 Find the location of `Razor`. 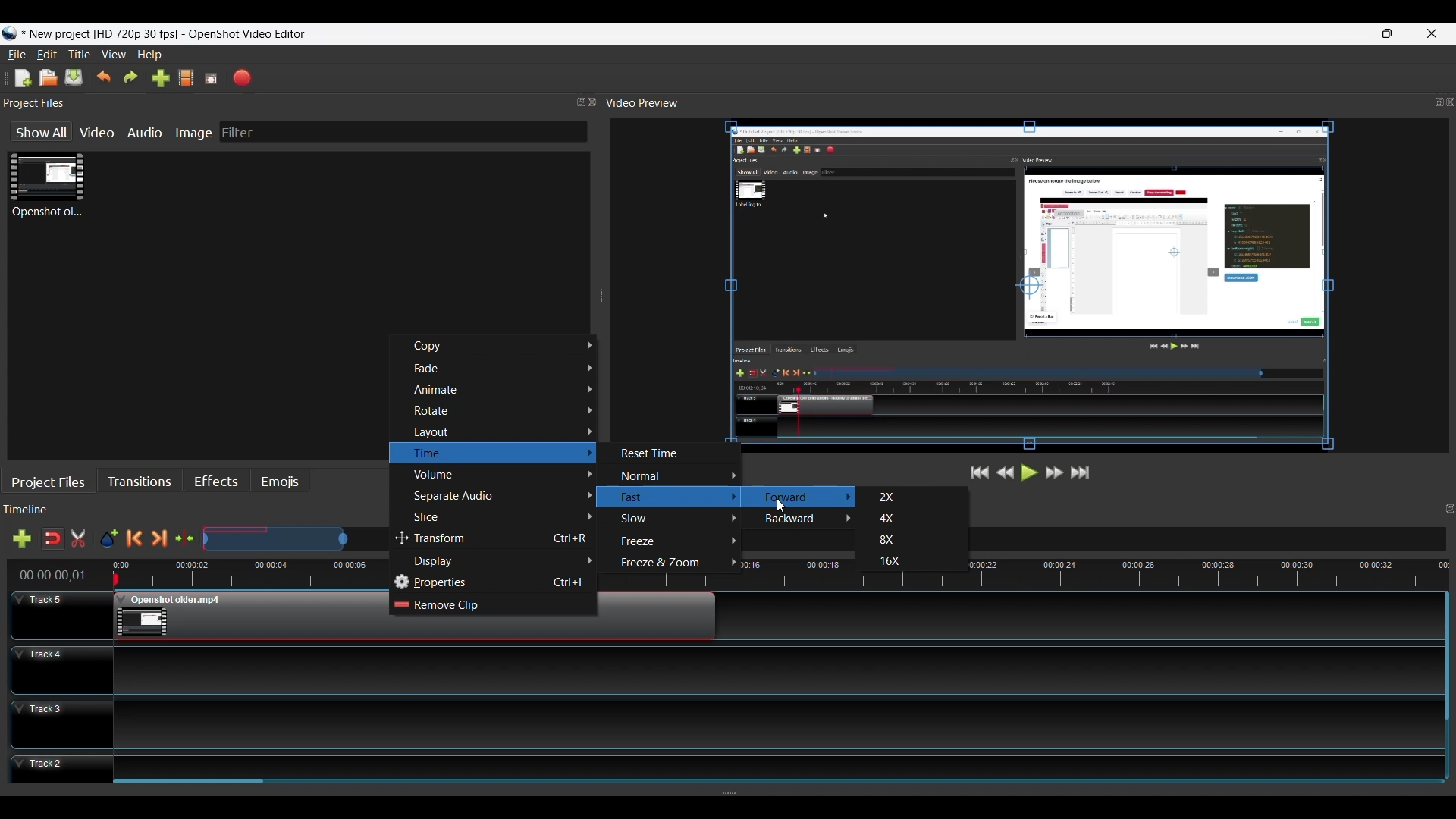

Razor is located at coordinates (80, 540).